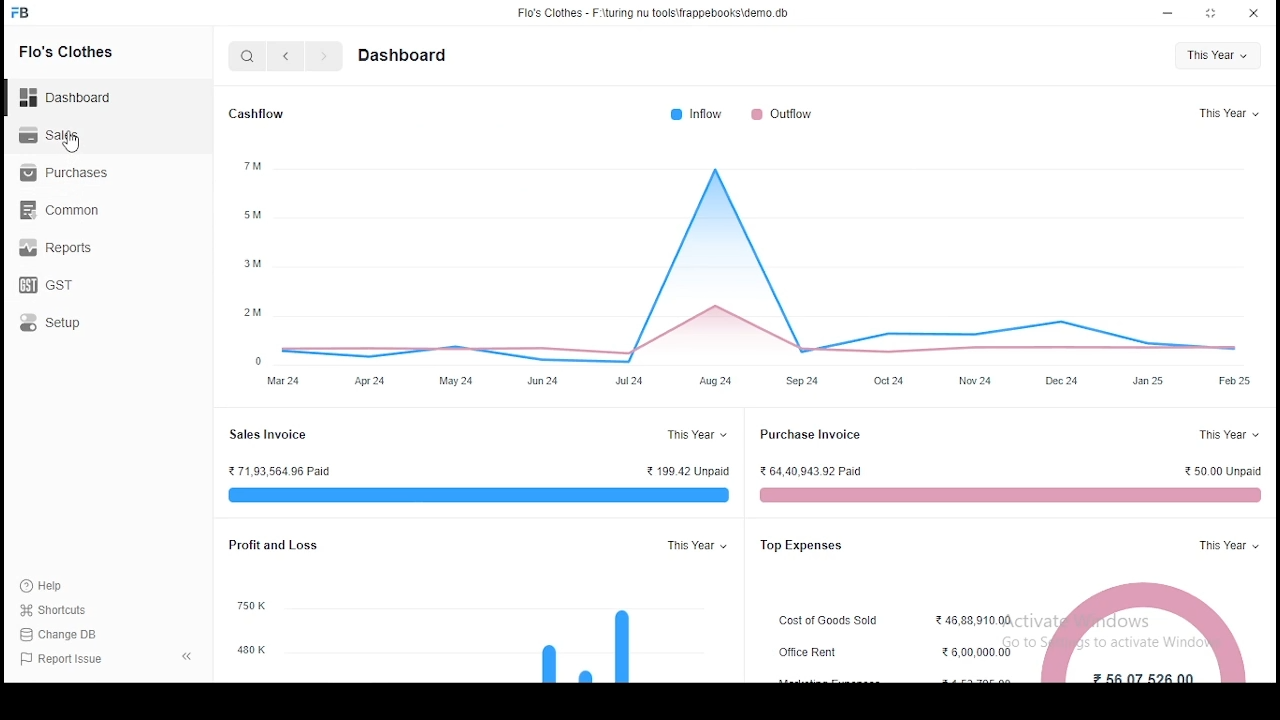 The height and width of the screenshot is (720, 1280). I want to click on Graph, so click(771, 266).